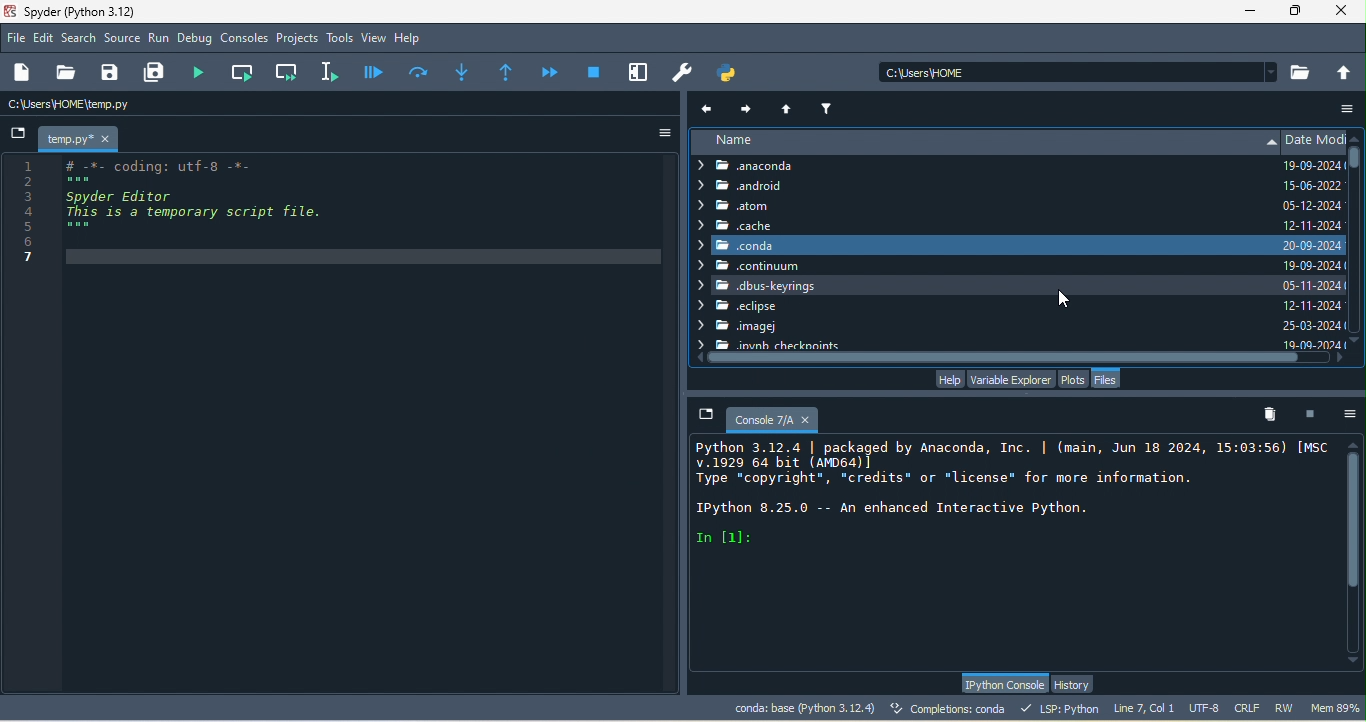  Describe the element at coordinates (594, 71) in the screenshot. I see `stop debugging` at that location.